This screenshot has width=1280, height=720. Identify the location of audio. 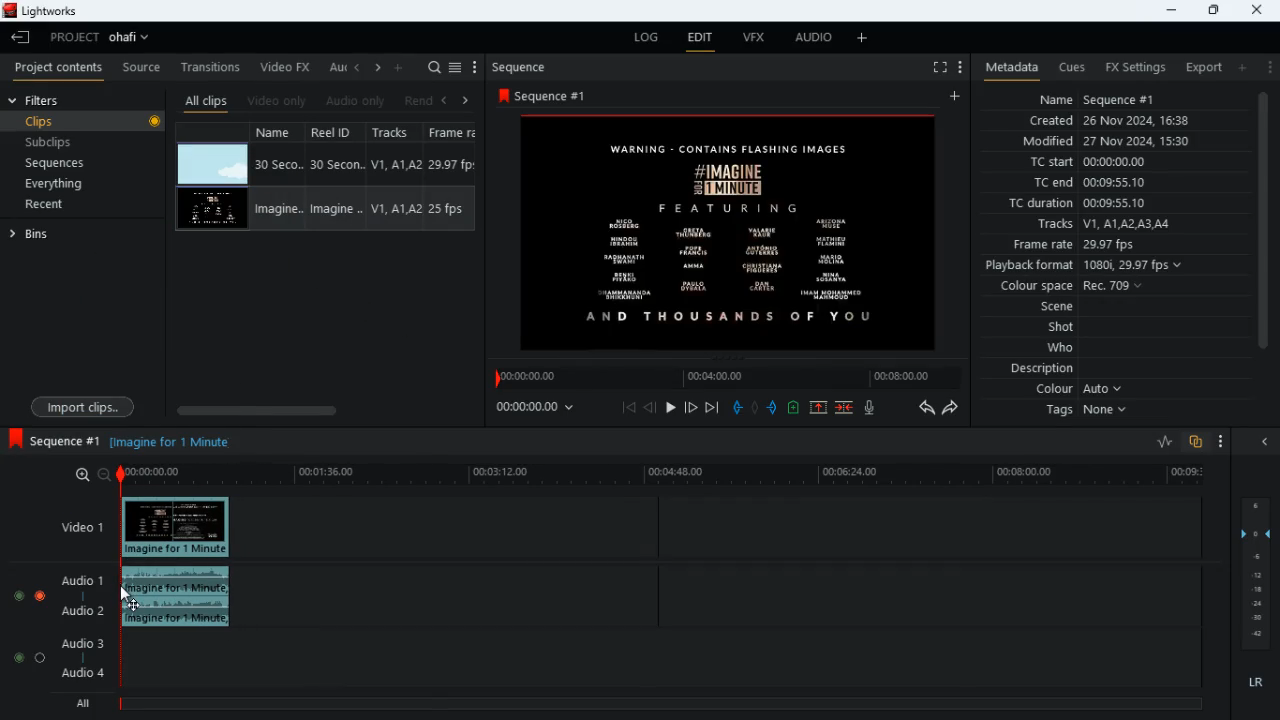
(182, 598).